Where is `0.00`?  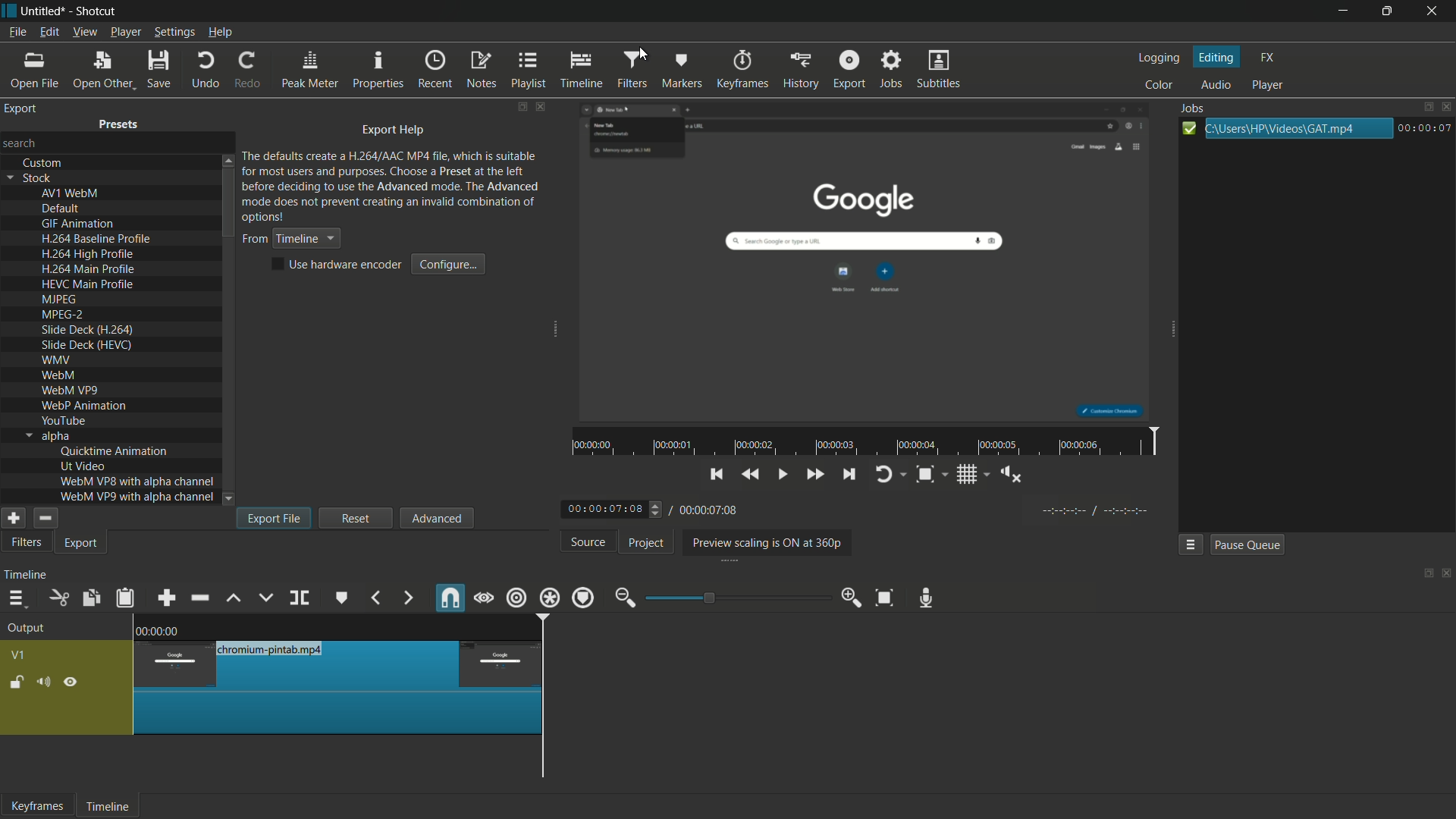 0.00 is located at coordinates (162, 629).